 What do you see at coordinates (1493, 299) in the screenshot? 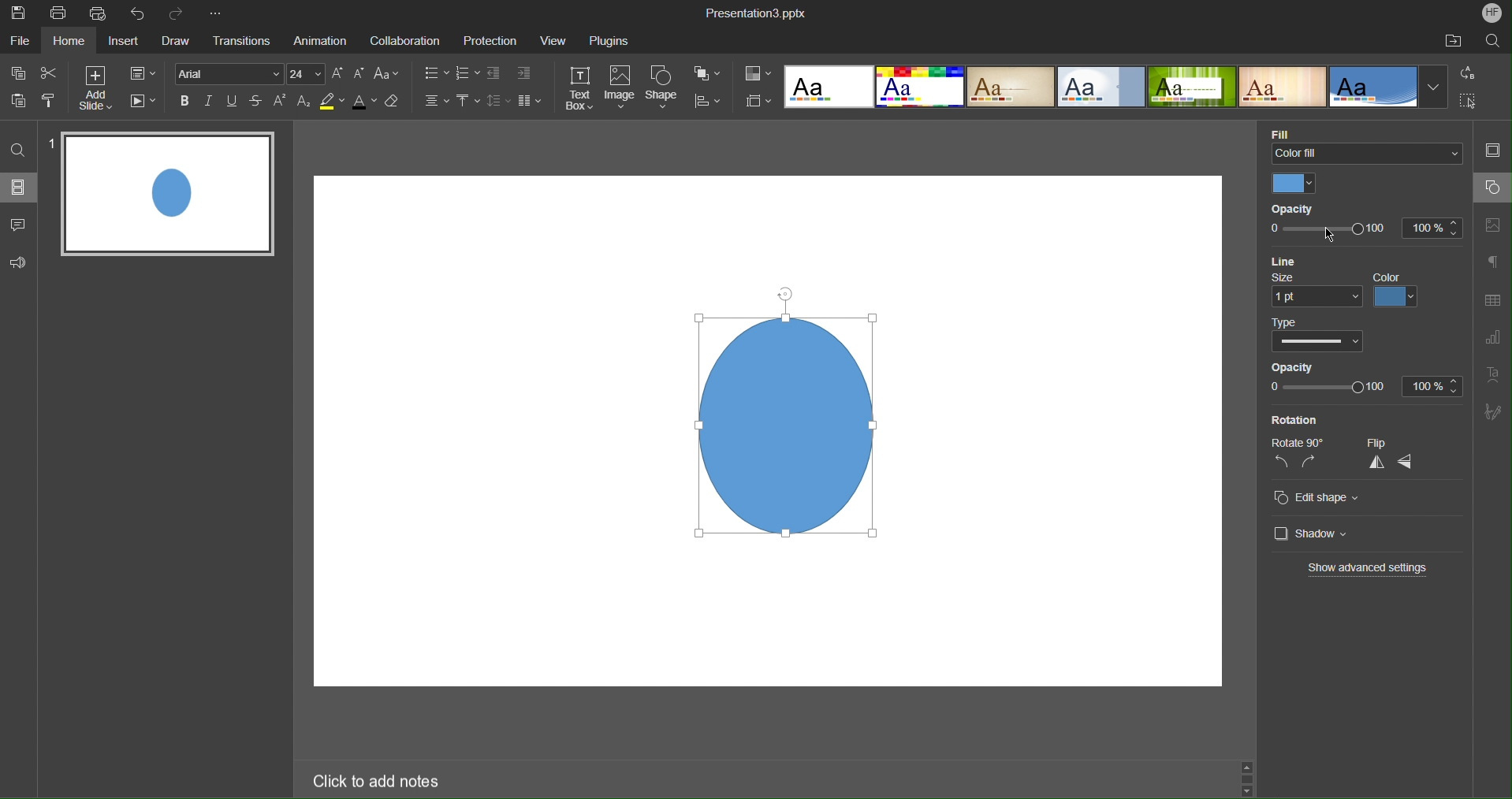
I see `Table` at bounding box center [1493, 299].